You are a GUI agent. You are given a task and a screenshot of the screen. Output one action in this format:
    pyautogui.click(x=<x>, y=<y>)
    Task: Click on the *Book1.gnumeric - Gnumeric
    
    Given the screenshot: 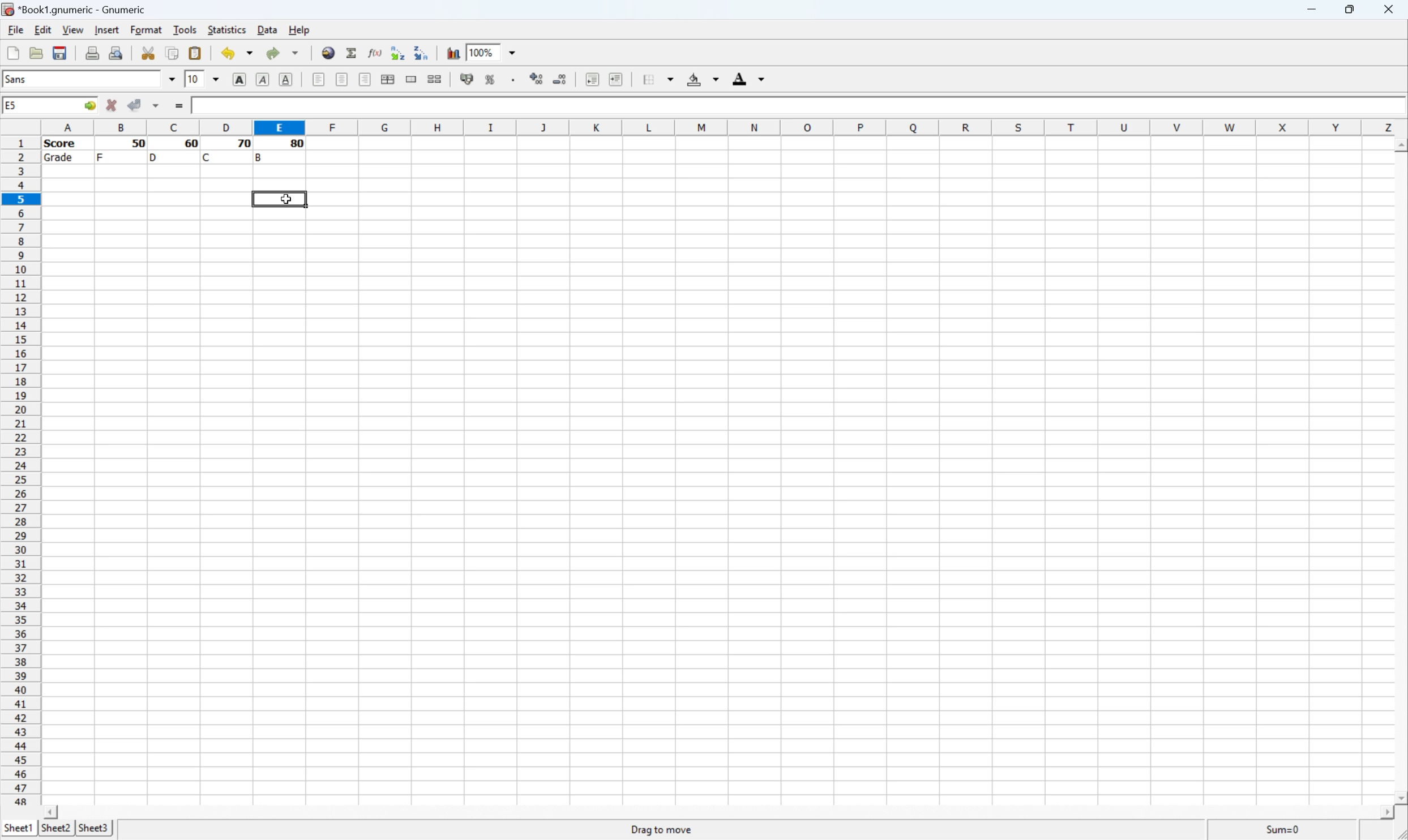 What is the action you would take?
    pyautogui.click(x=76, y=8)
    